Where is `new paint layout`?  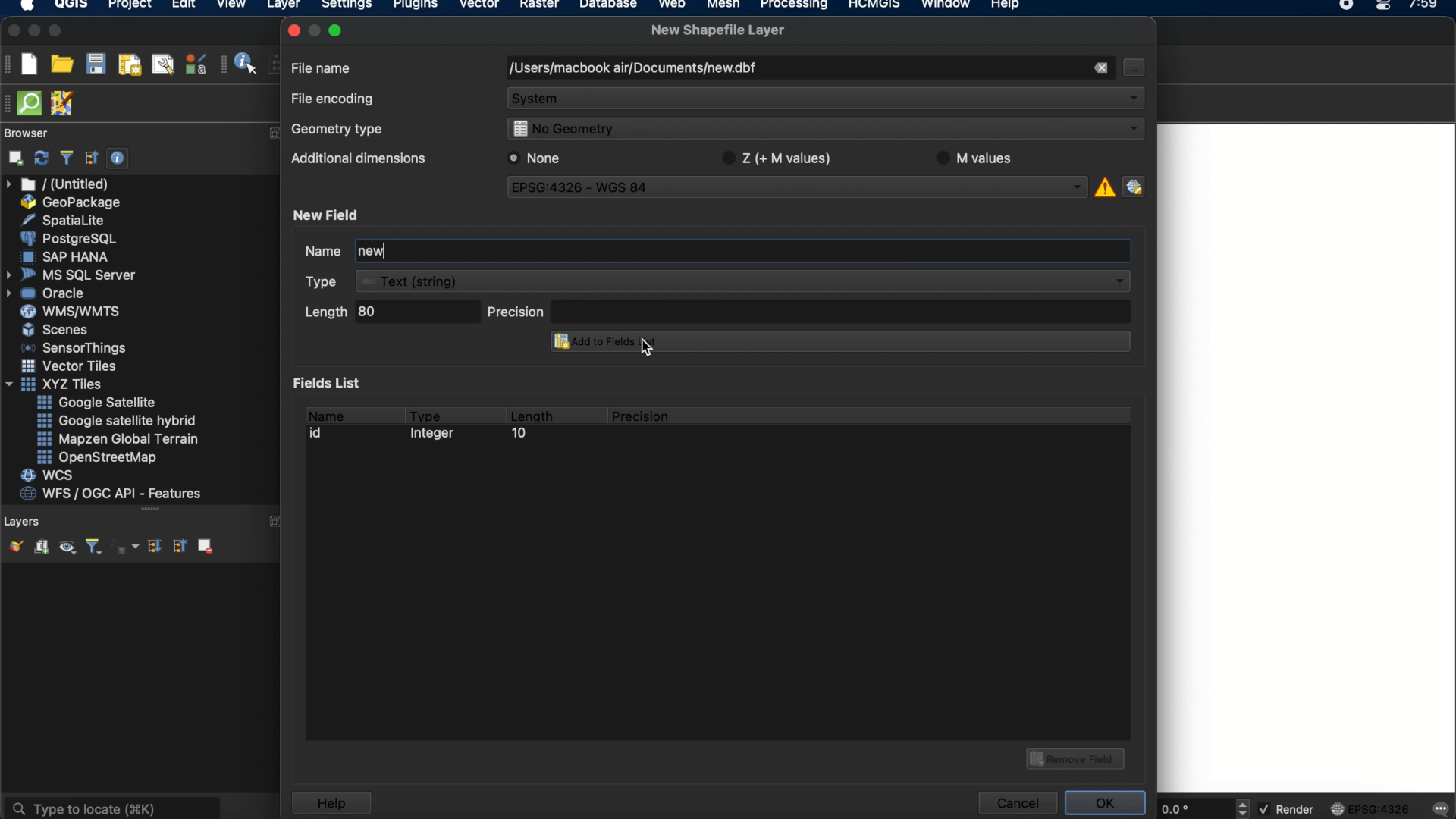 new paint layout is located at coordinates (128, 66).